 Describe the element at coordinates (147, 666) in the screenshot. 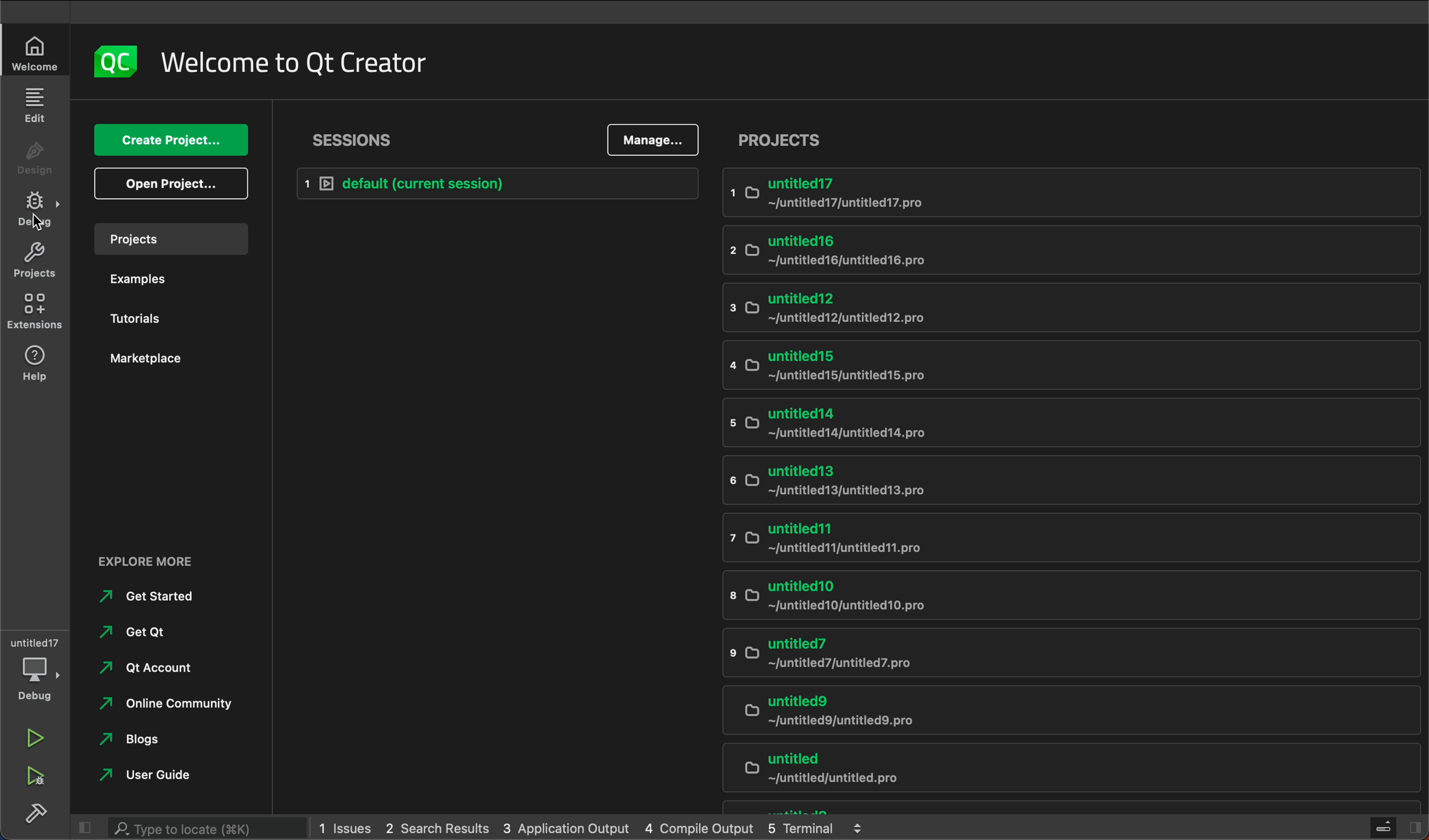

I see `Qt Account` at that location.